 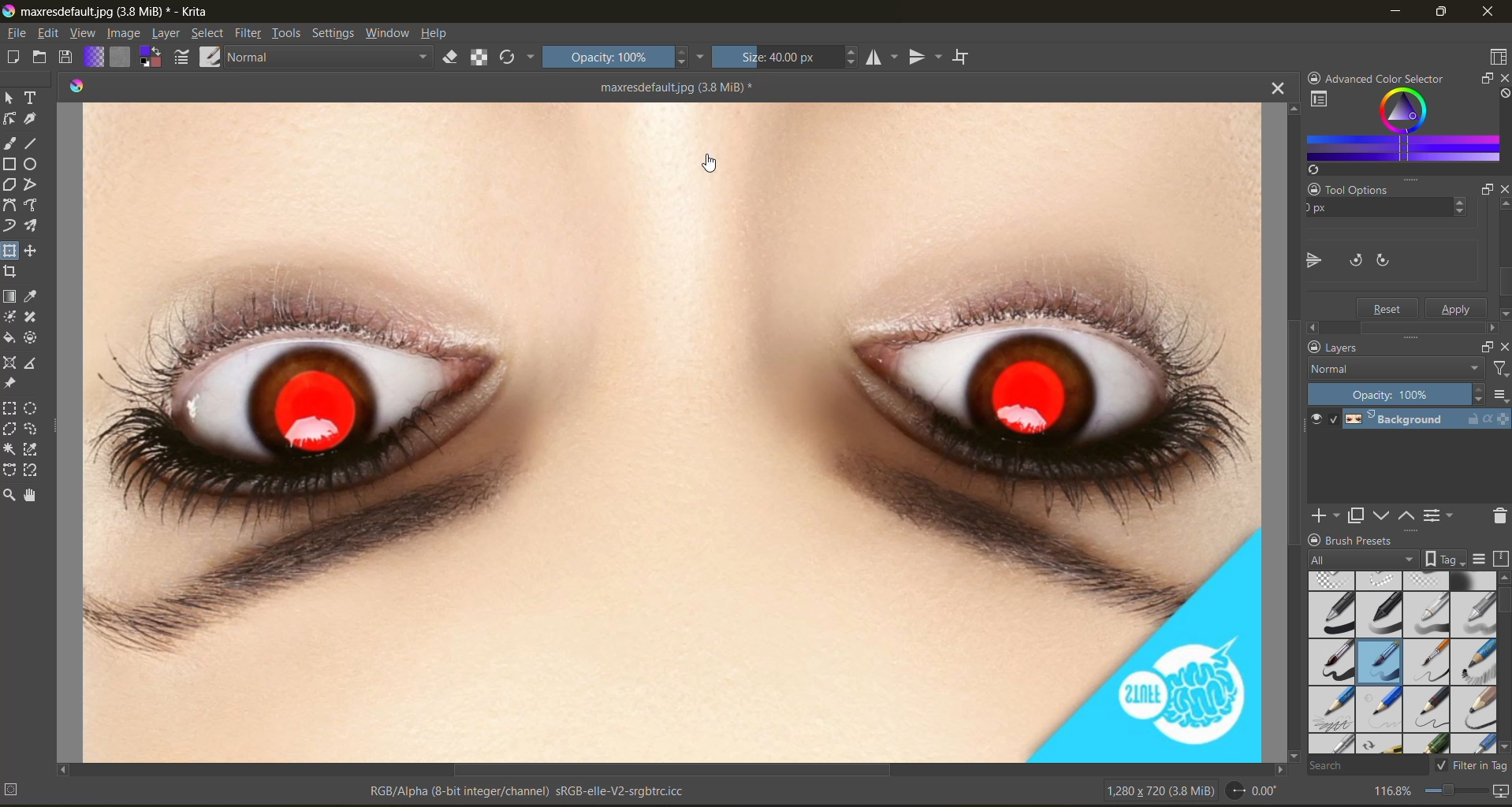 I want to click on tool, so click(x=11, y=99).